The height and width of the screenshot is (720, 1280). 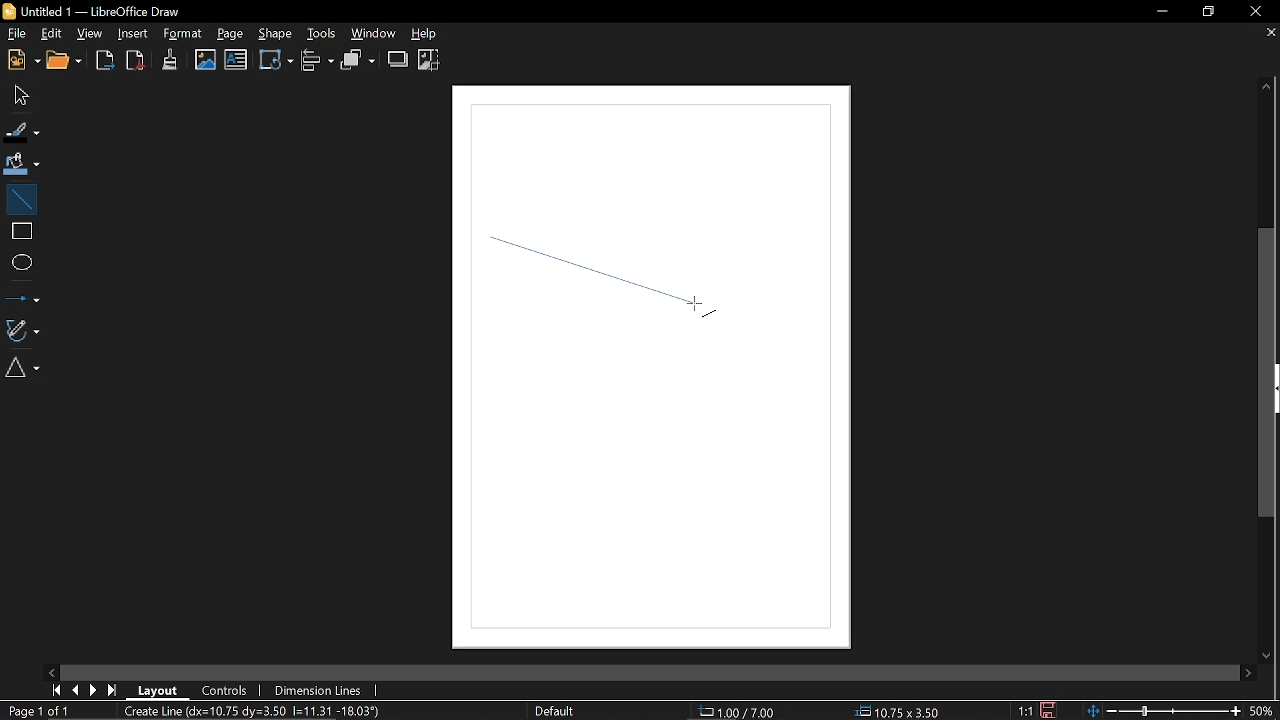 What do you see at coordinates (1250, 673) in the screenshot?
I see `Move right` at bounding box center [1250, 673].